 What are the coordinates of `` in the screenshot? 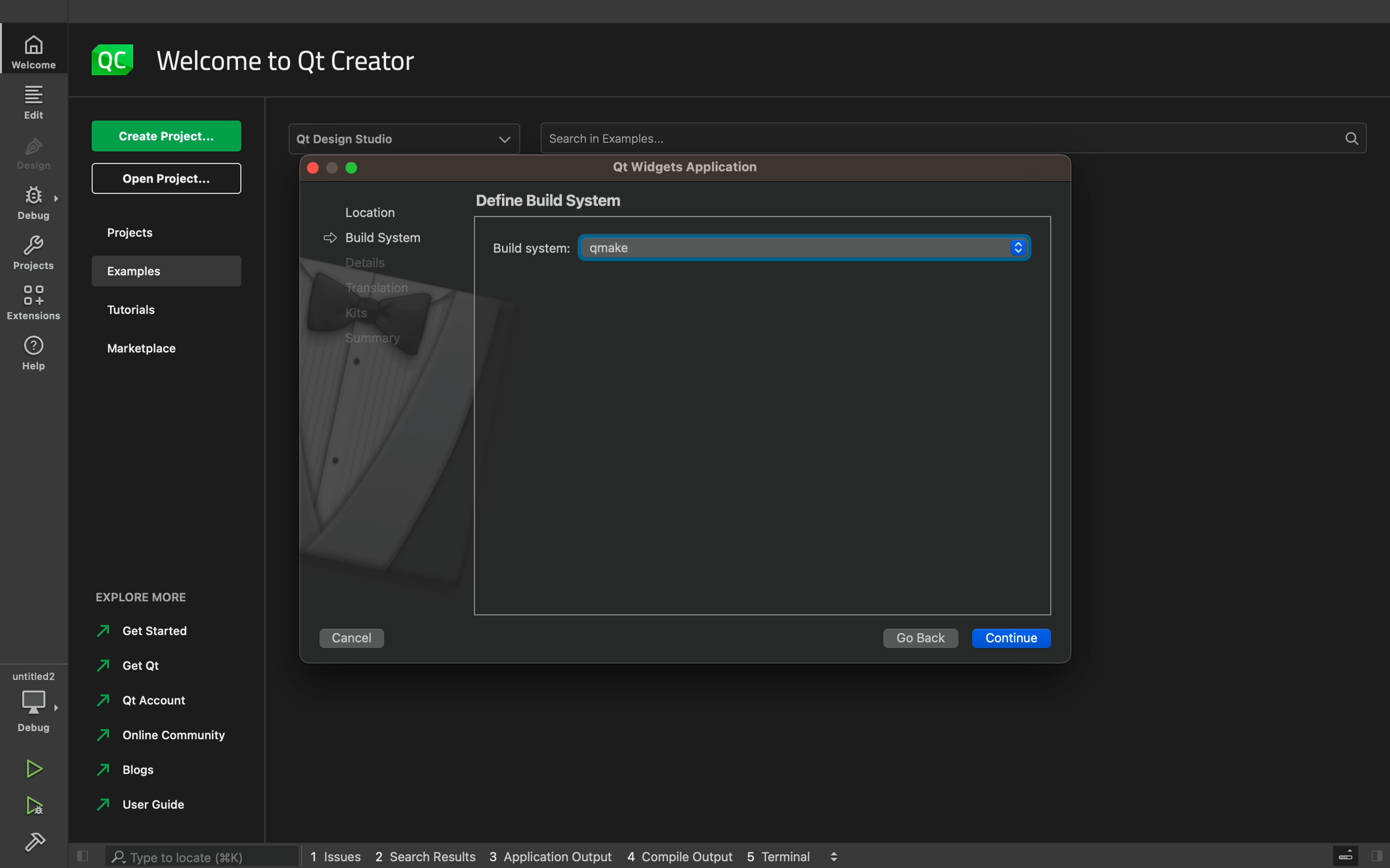 It's located at (144, 632).